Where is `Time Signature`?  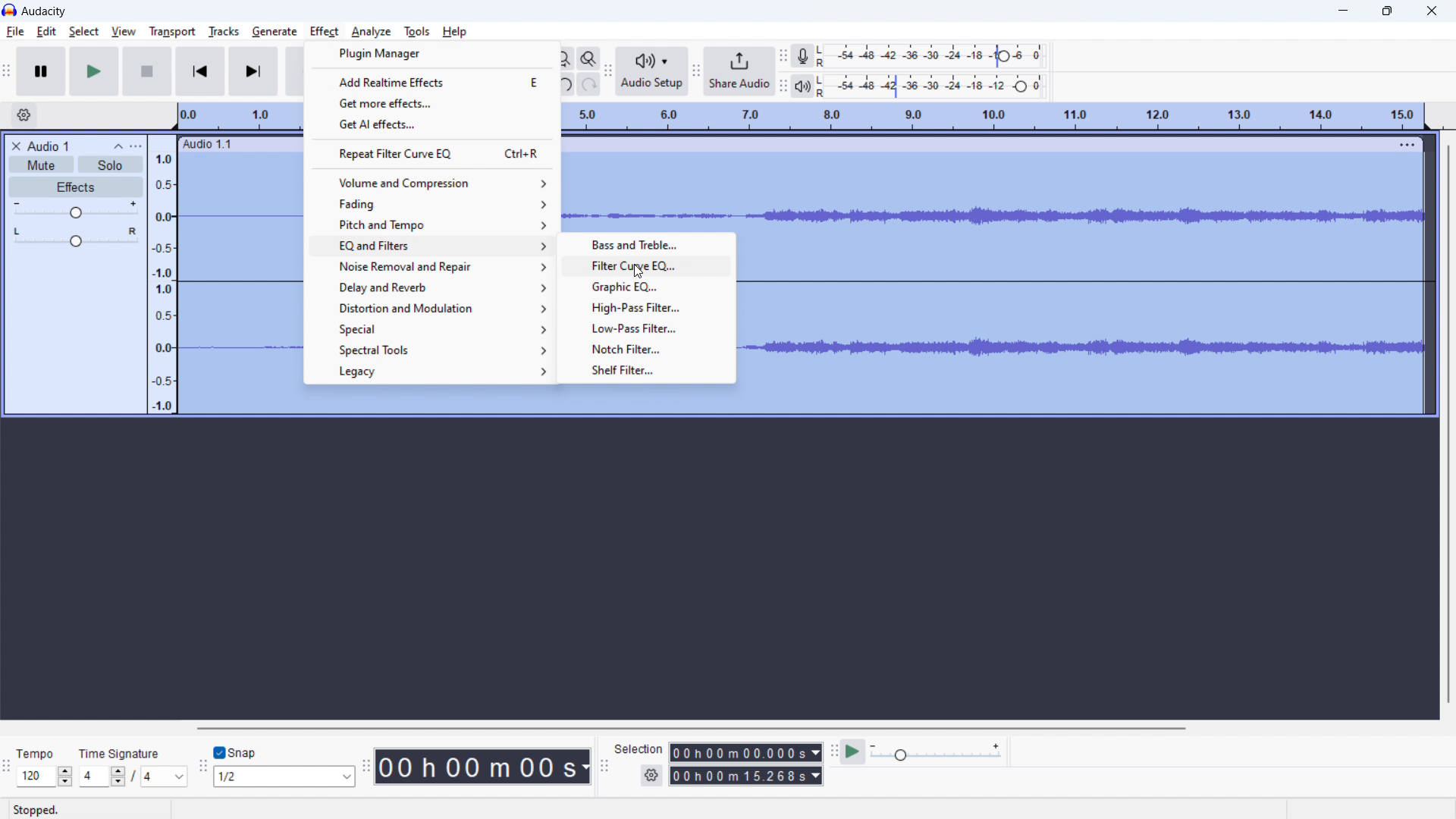
Time Signature is located at coordinates (121, 750).